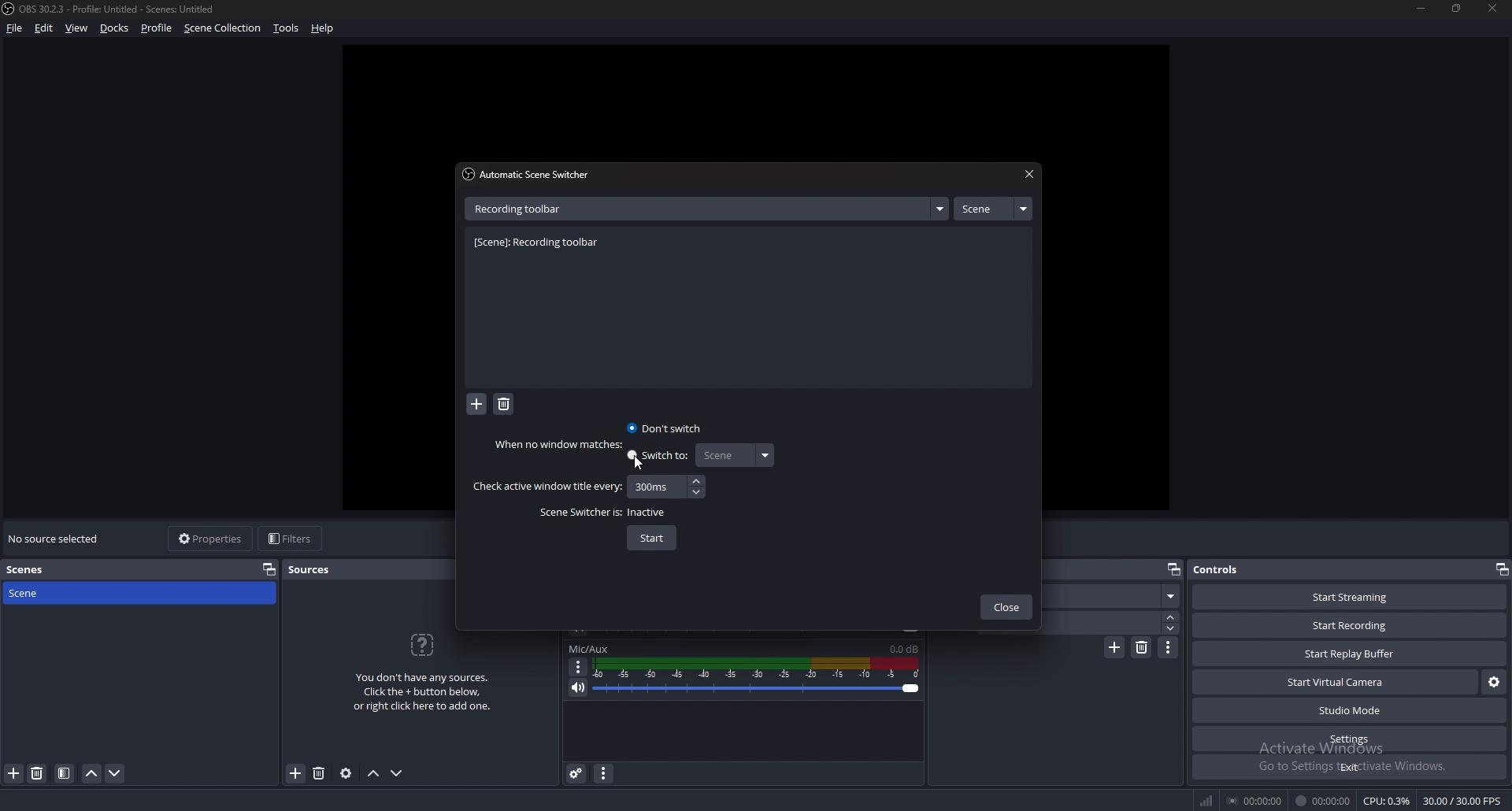 This screenshot has width=1512, height=811. I want to click on help, so click(323, 29).